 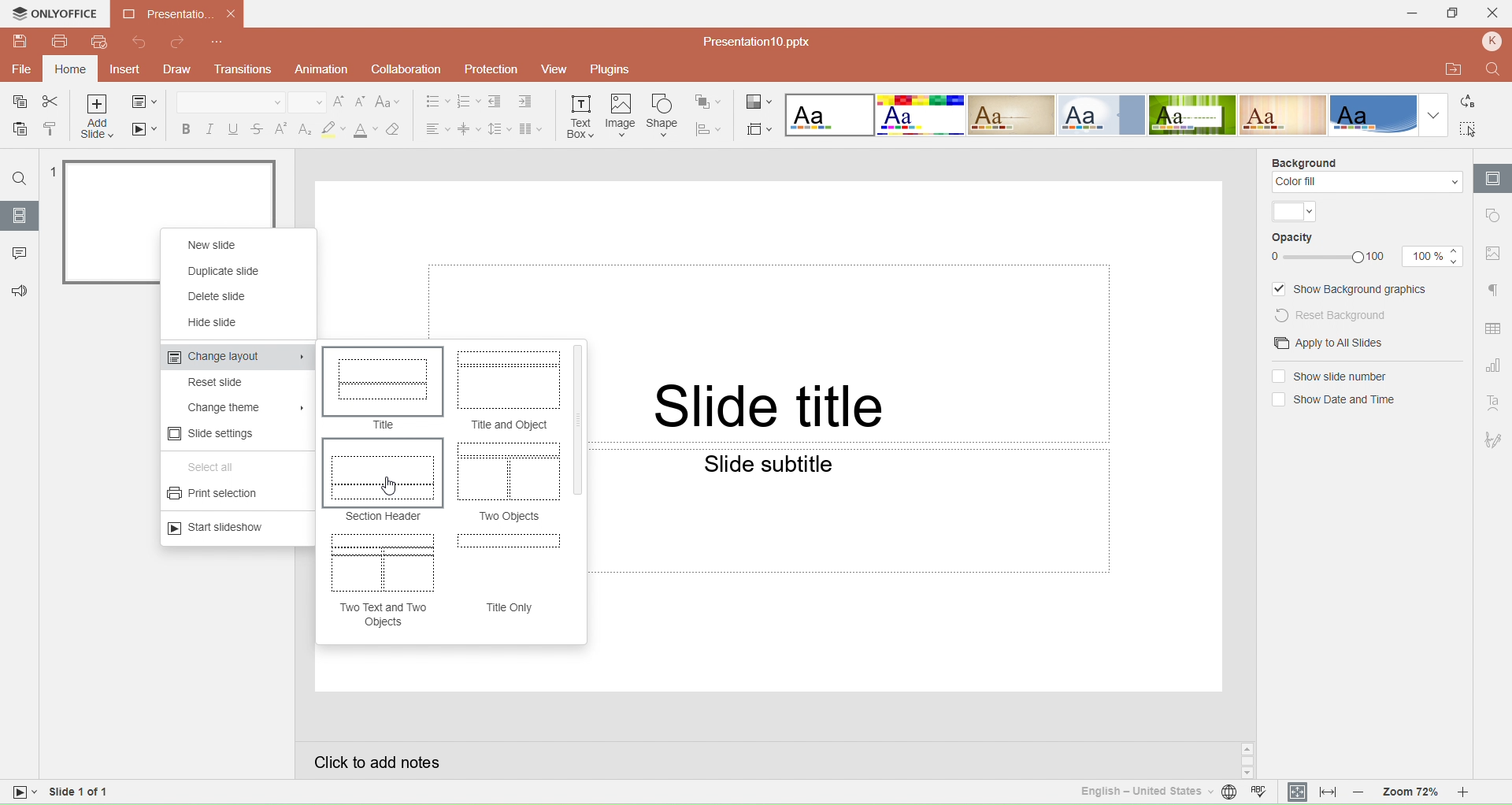 I want to click on Two Objects, so click(x=511, y=517).